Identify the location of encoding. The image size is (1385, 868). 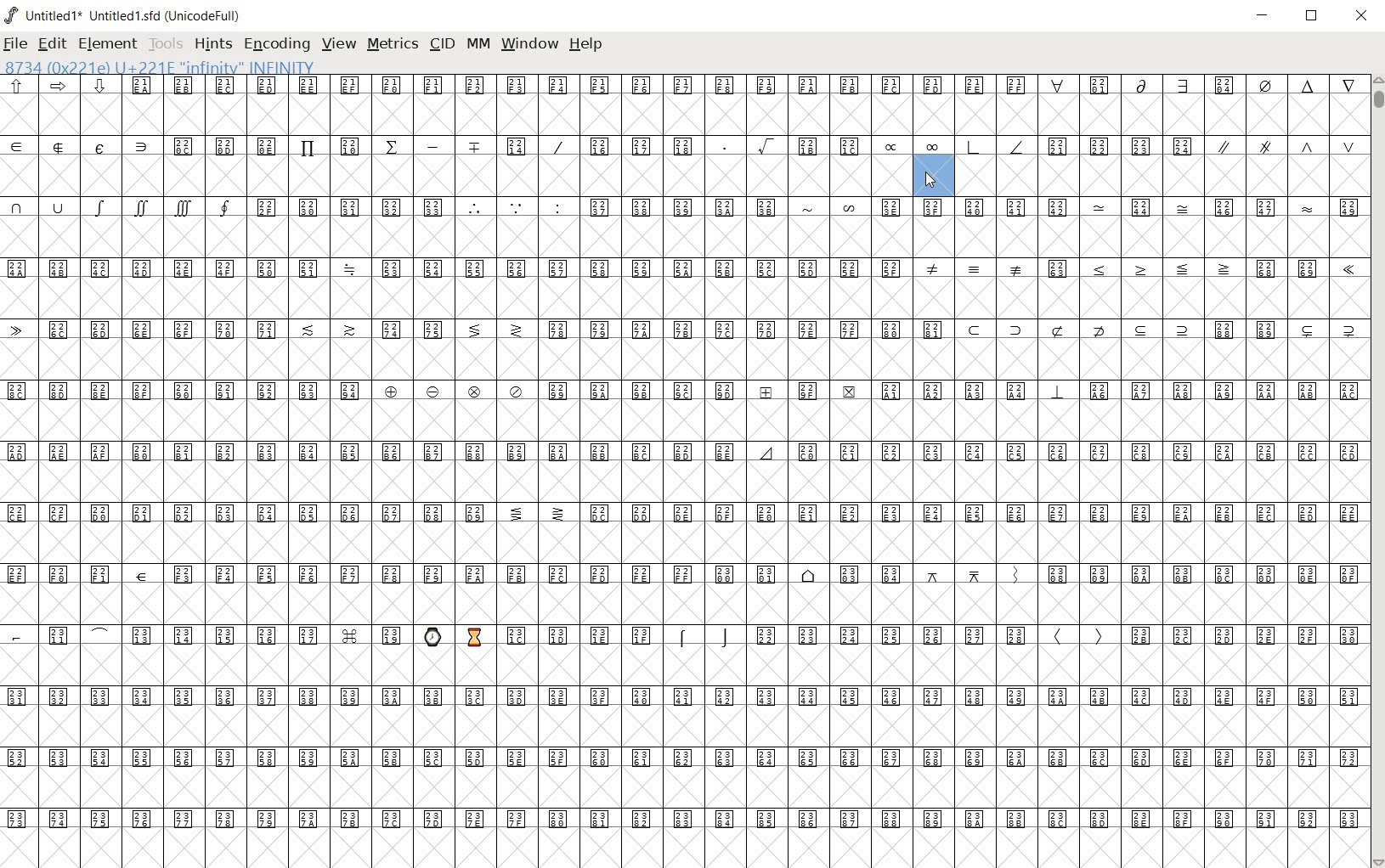
(277, 44).